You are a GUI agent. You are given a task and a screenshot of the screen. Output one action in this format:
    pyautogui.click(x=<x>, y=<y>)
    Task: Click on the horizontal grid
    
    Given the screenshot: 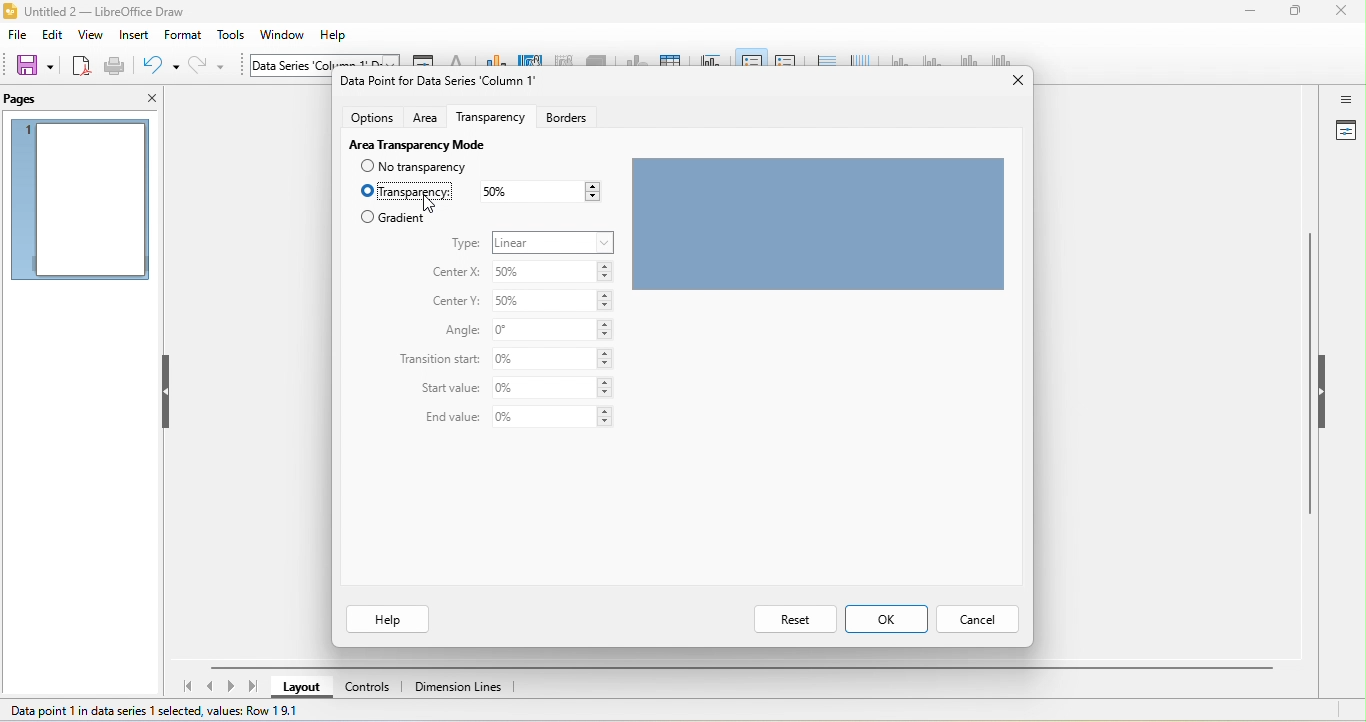 What is the action you would take?
    pyautogui.click(x=824, y=58)
    